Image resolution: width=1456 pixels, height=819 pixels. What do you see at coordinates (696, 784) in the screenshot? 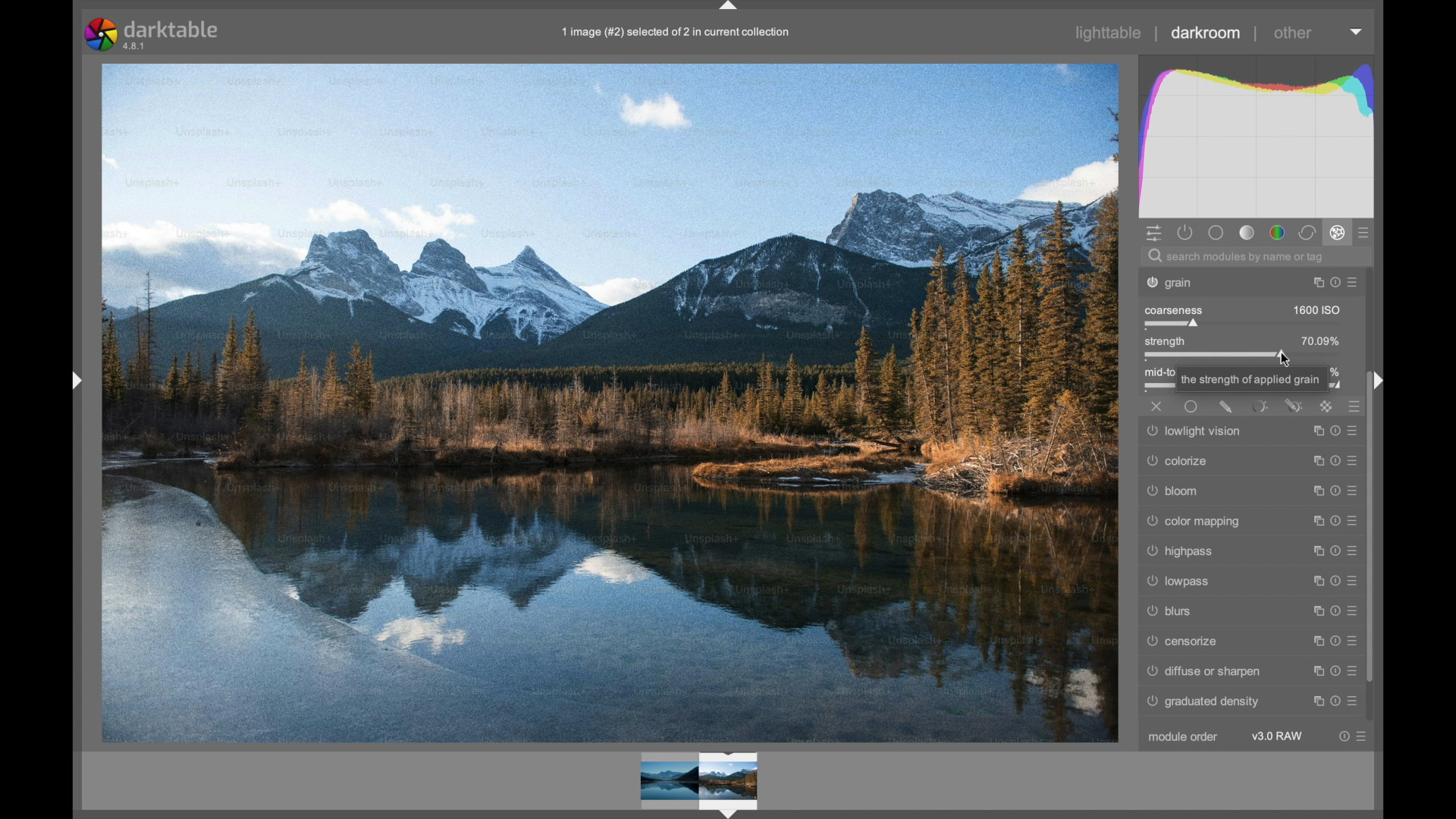
I see `Video preview` at bounding box center [696, 784].